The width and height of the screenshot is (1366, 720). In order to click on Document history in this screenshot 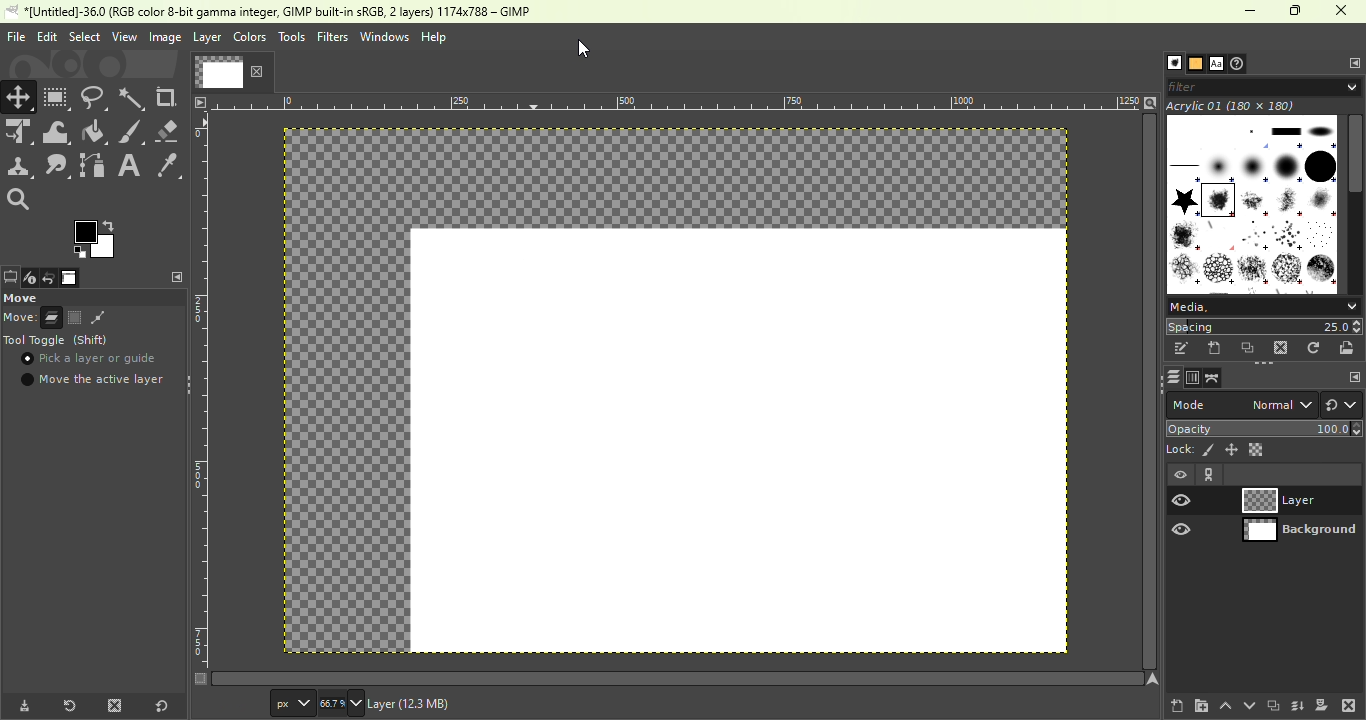, I will do `click(1240, 63)`.